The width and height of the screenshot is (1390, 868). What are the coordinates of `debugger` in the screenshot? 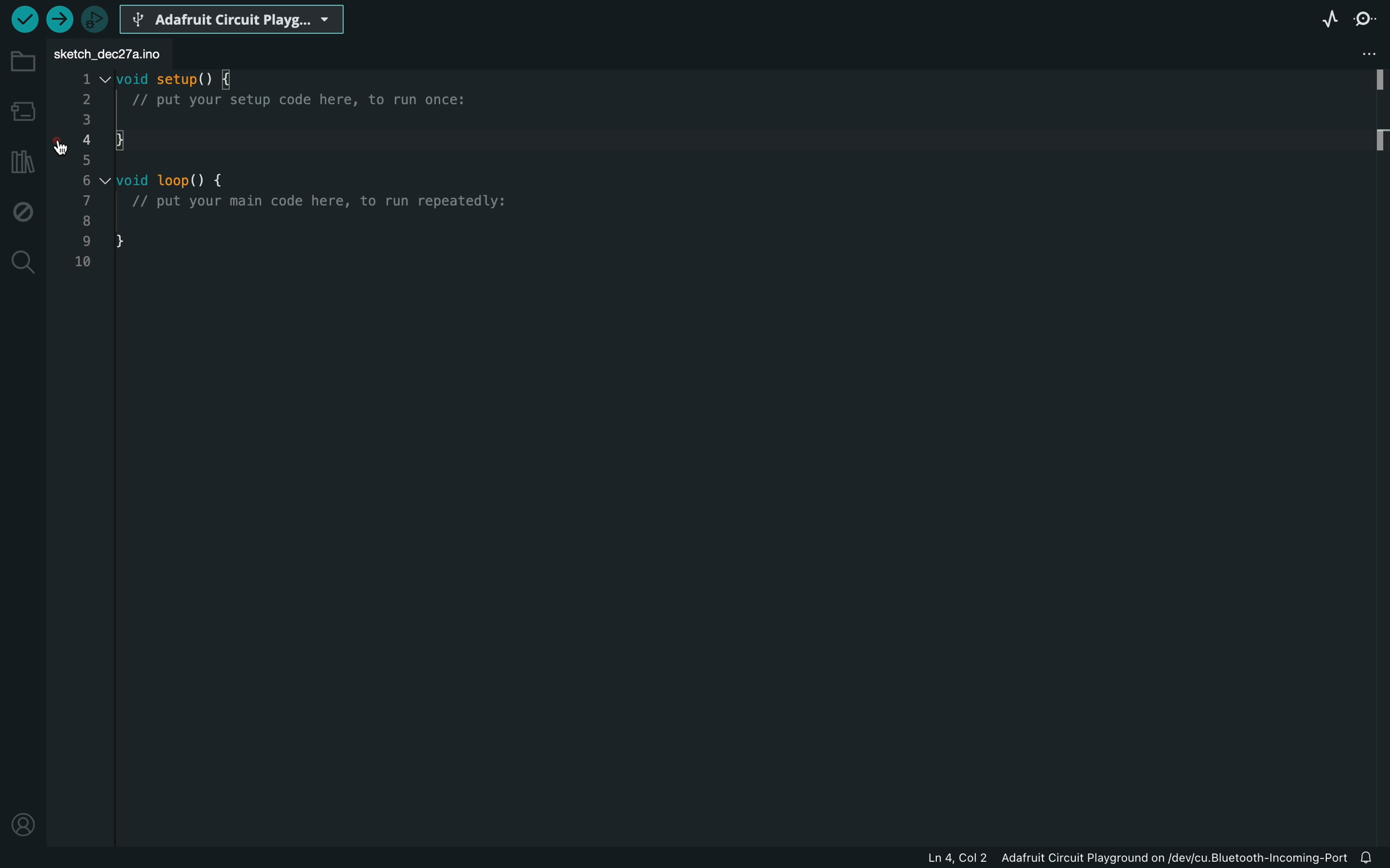 It's located at (94, 17).